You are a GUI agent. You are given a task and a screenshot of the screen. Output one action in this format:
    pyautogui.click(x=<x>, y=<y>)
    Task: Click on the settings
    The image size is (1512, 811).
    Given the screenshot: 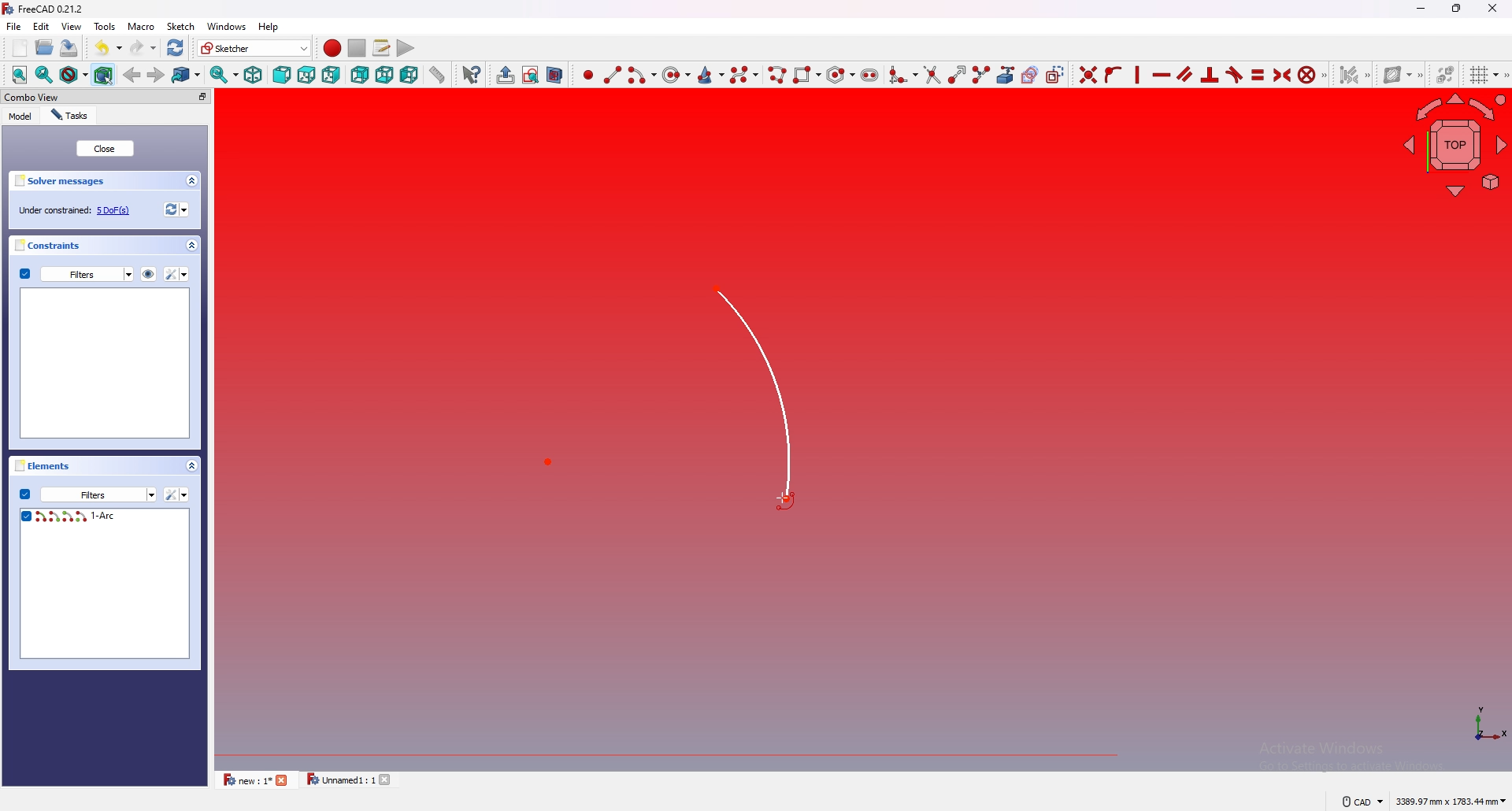 What is the action you would take?
    pyautogui.click(x=178, y=274)
    